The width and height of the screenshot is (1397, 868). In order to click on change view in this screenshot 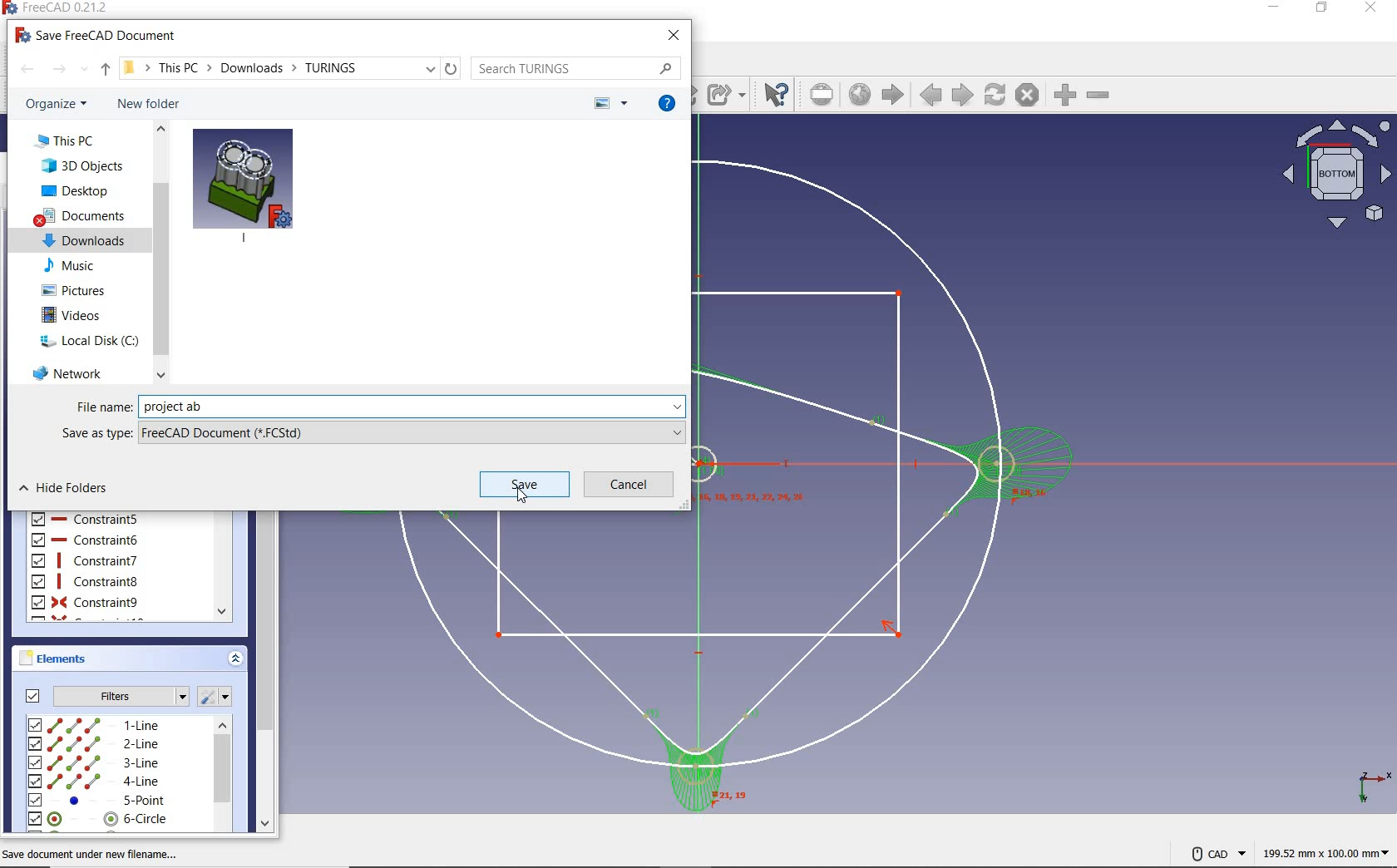, I will do `click(610, 104)`.